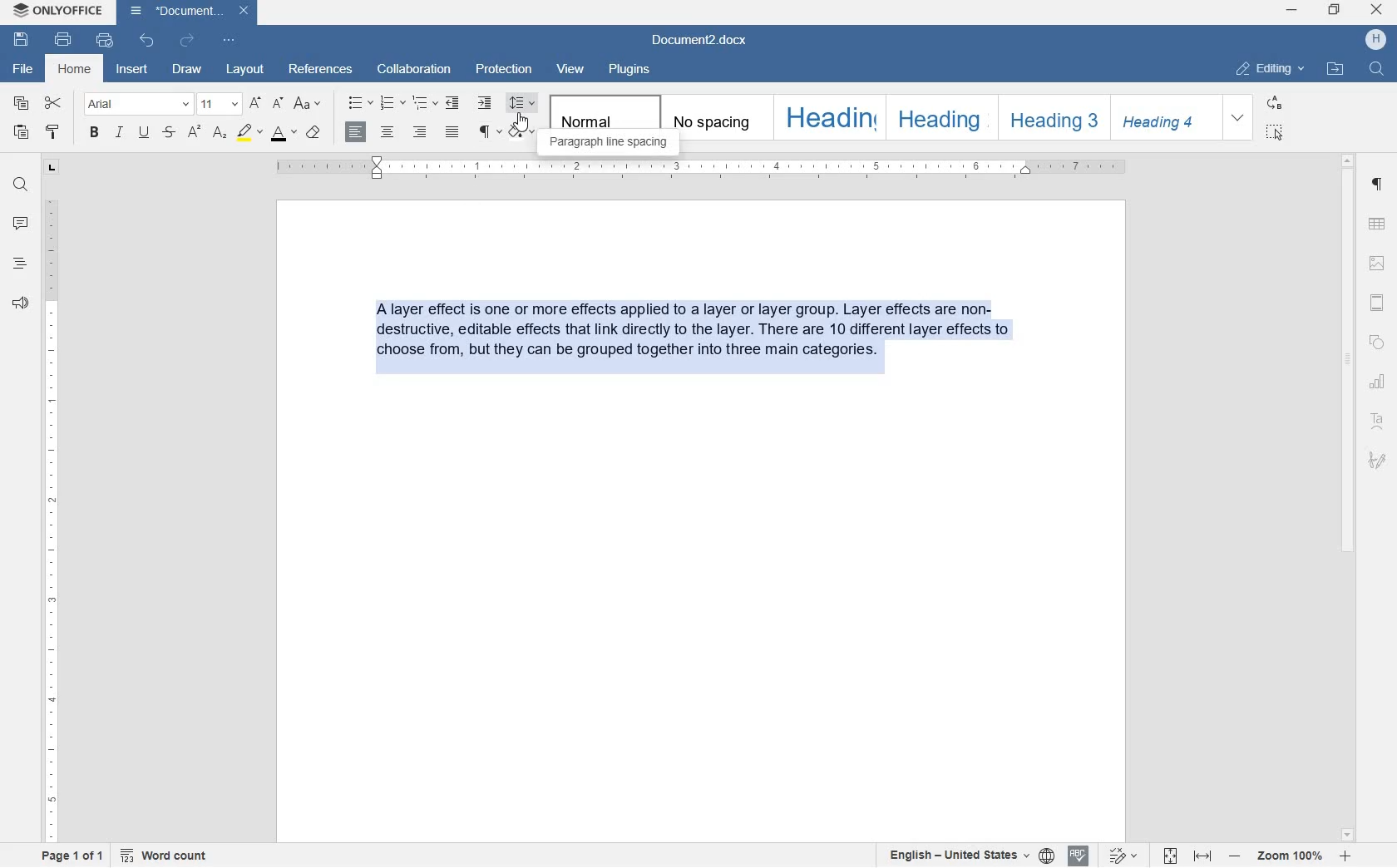 The height and width of the screenshot is (868, 1397). I want to click on feedback & support, so click(19, 303).